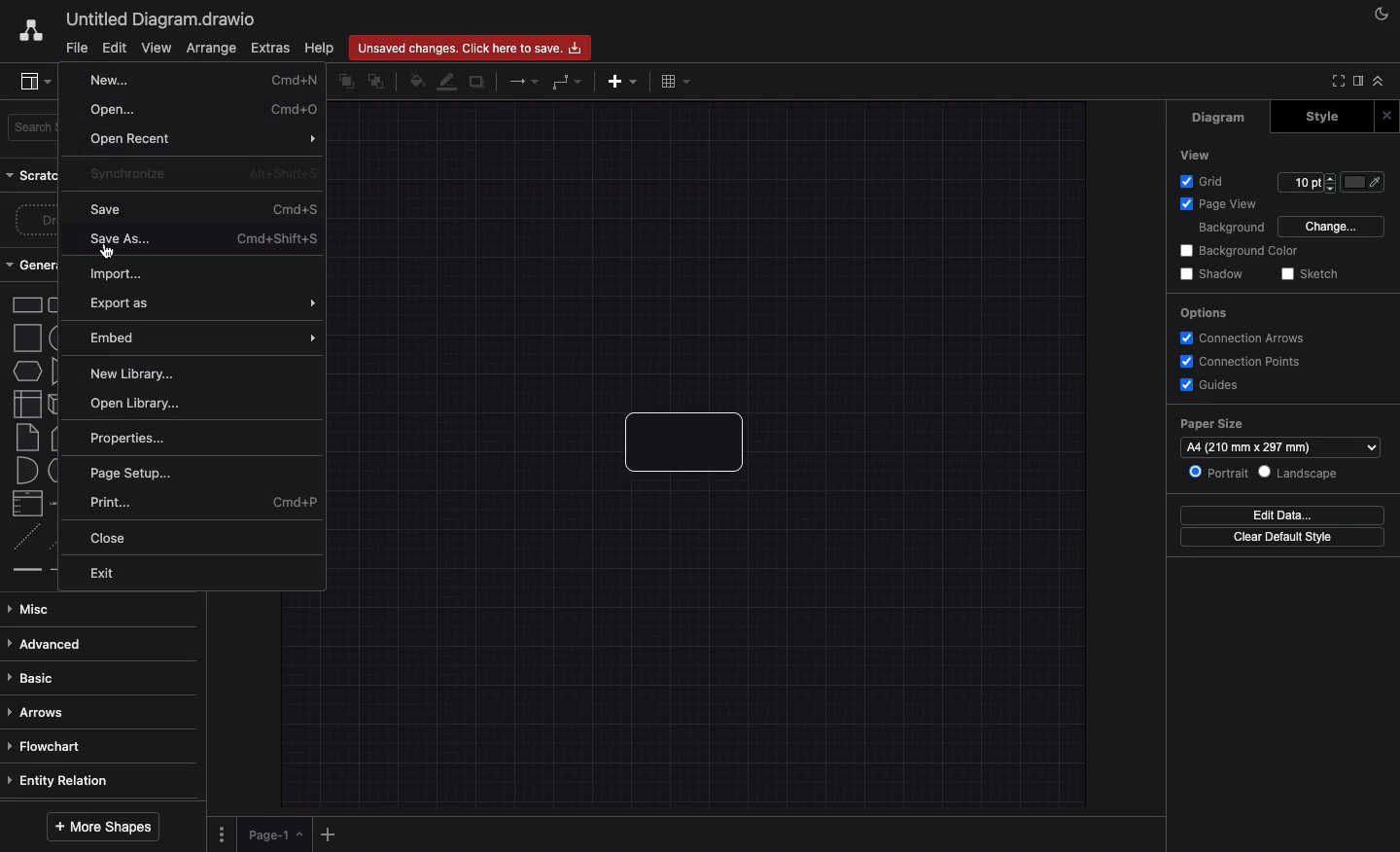 The image size is (1400, 852). Describe the element at coordinates (140, 474) in the screenshot. I see `Page setup` at that location.